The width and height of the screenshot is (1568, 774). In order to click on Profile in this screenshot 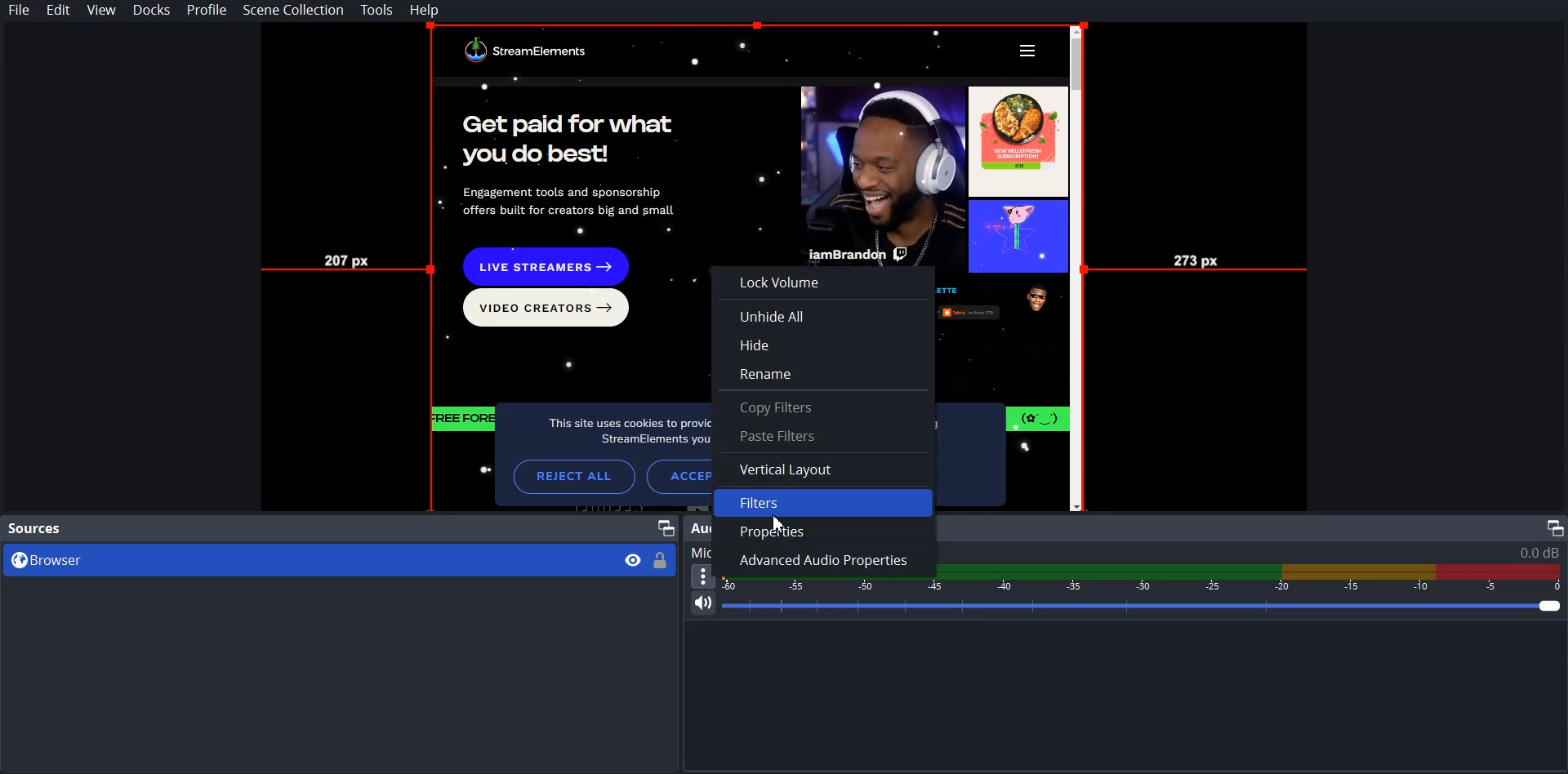, I will do `click(207, 11)`.